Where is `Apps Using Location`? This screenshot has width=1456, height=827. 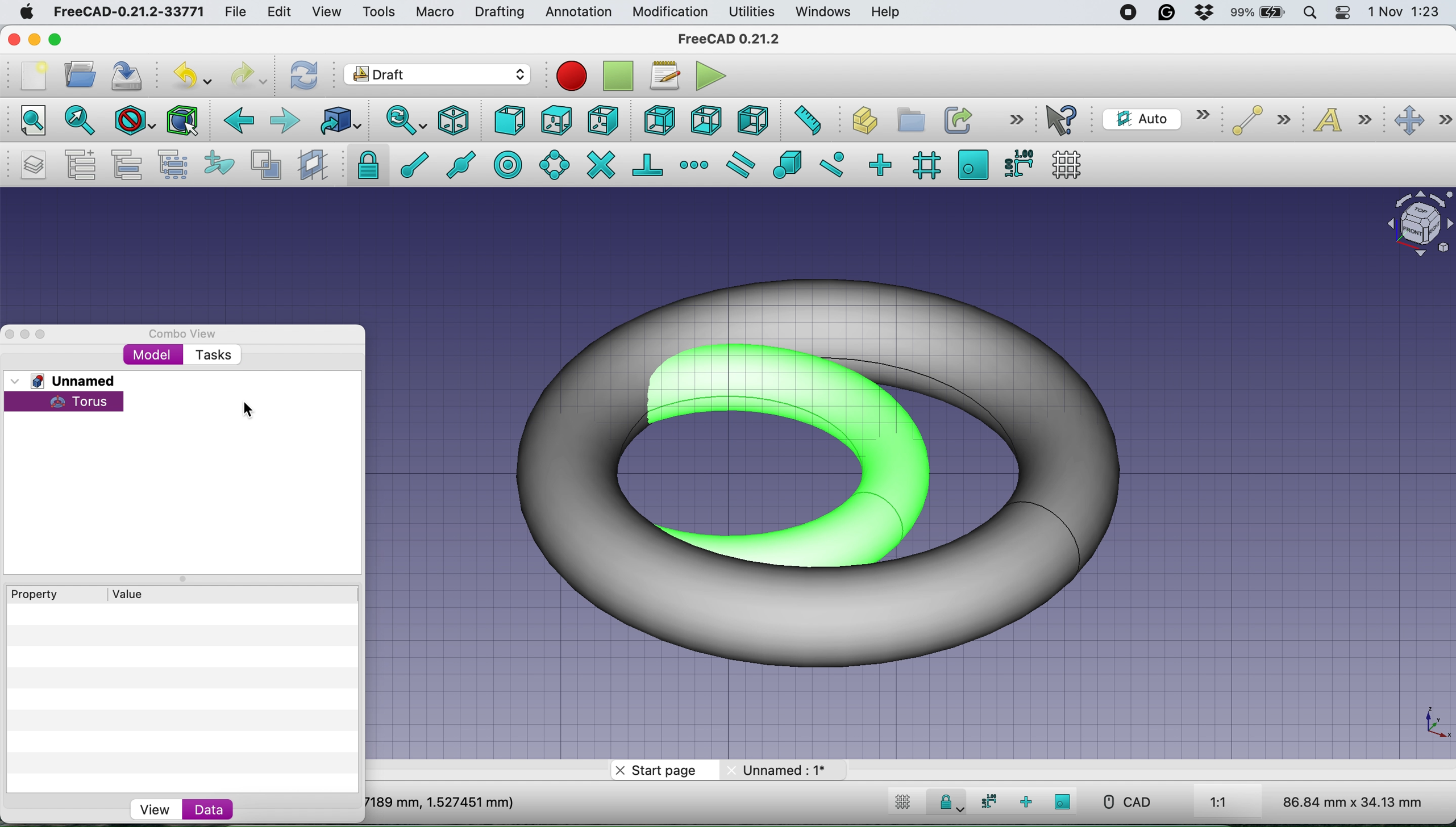
Apps Using Location is located at coordinates (1092, 14).